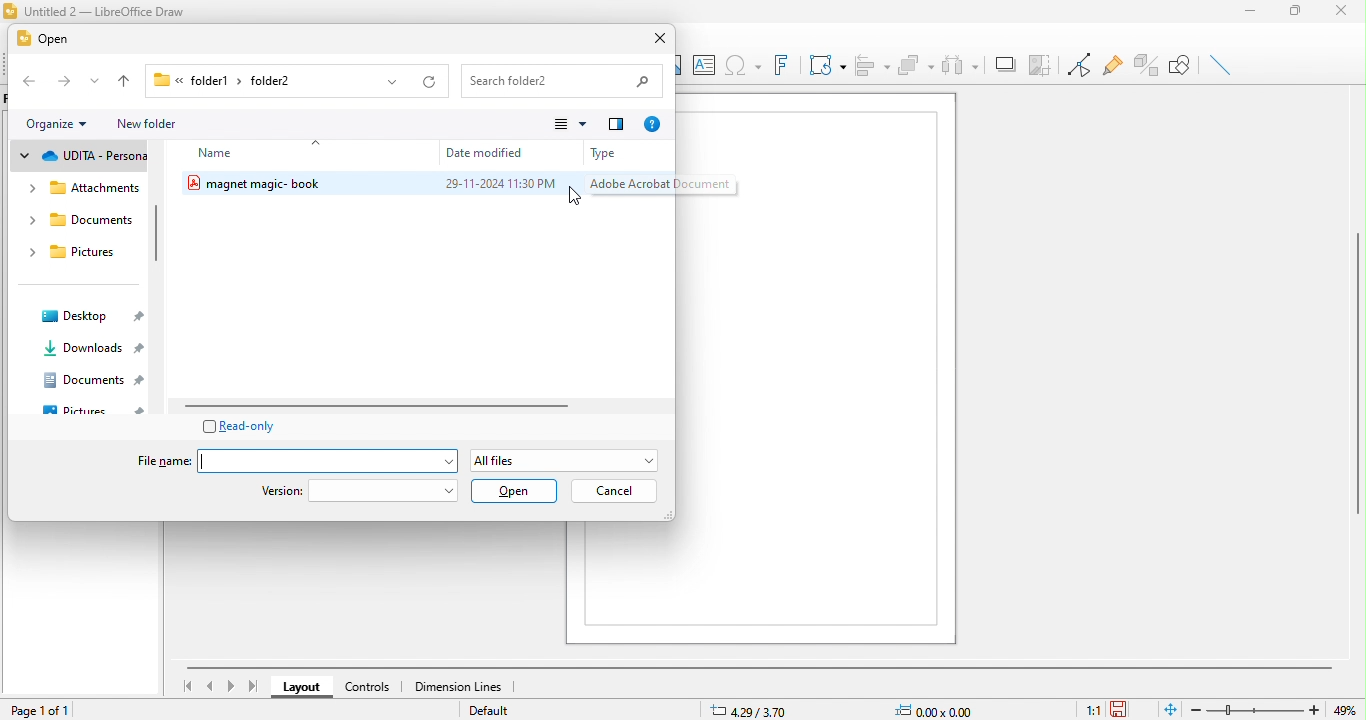  Describe the element at coordinates (1247, 12) in the screenshot. I see `minimize` at that location.